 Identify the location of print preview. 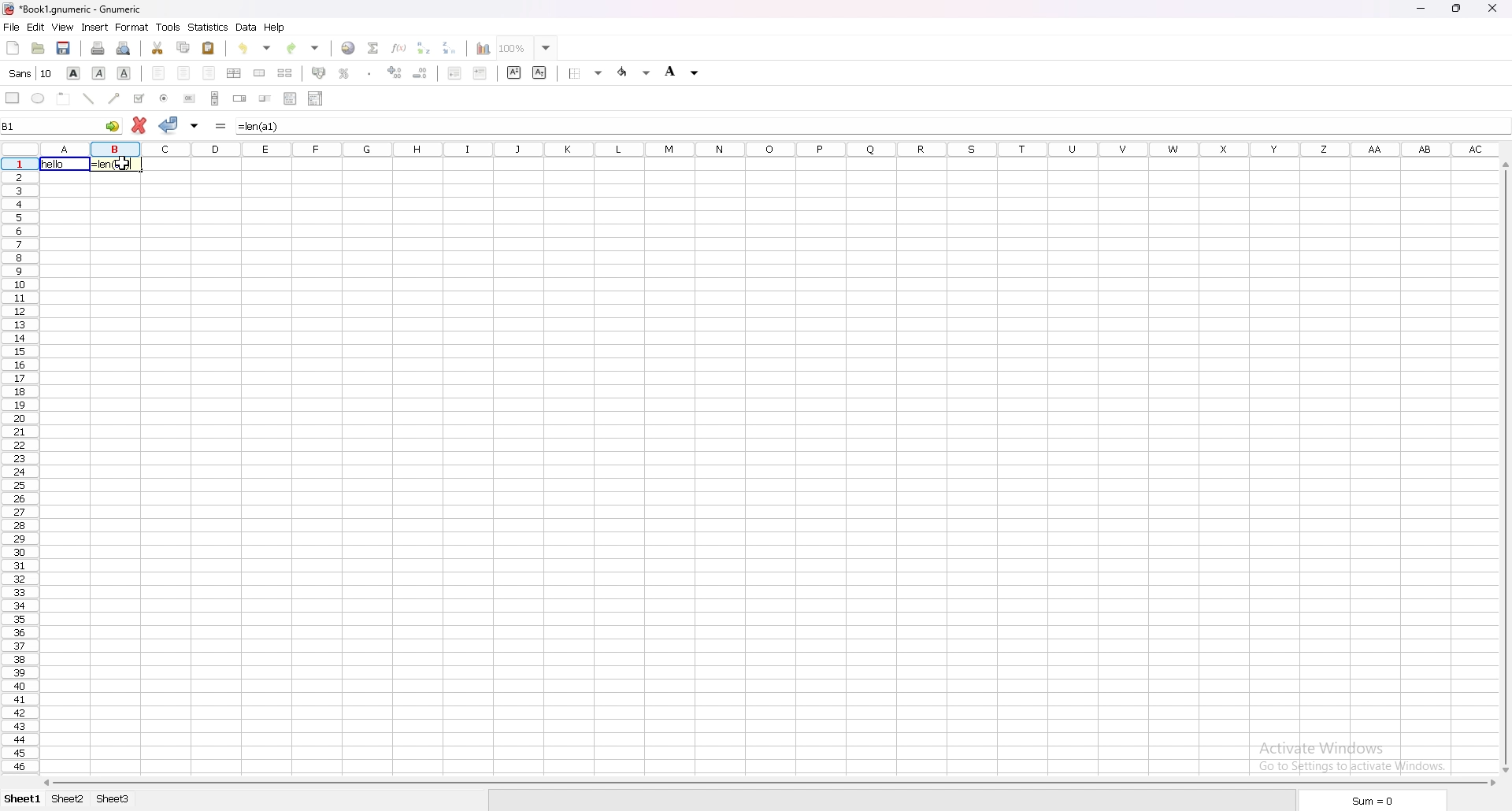
(124, 48).